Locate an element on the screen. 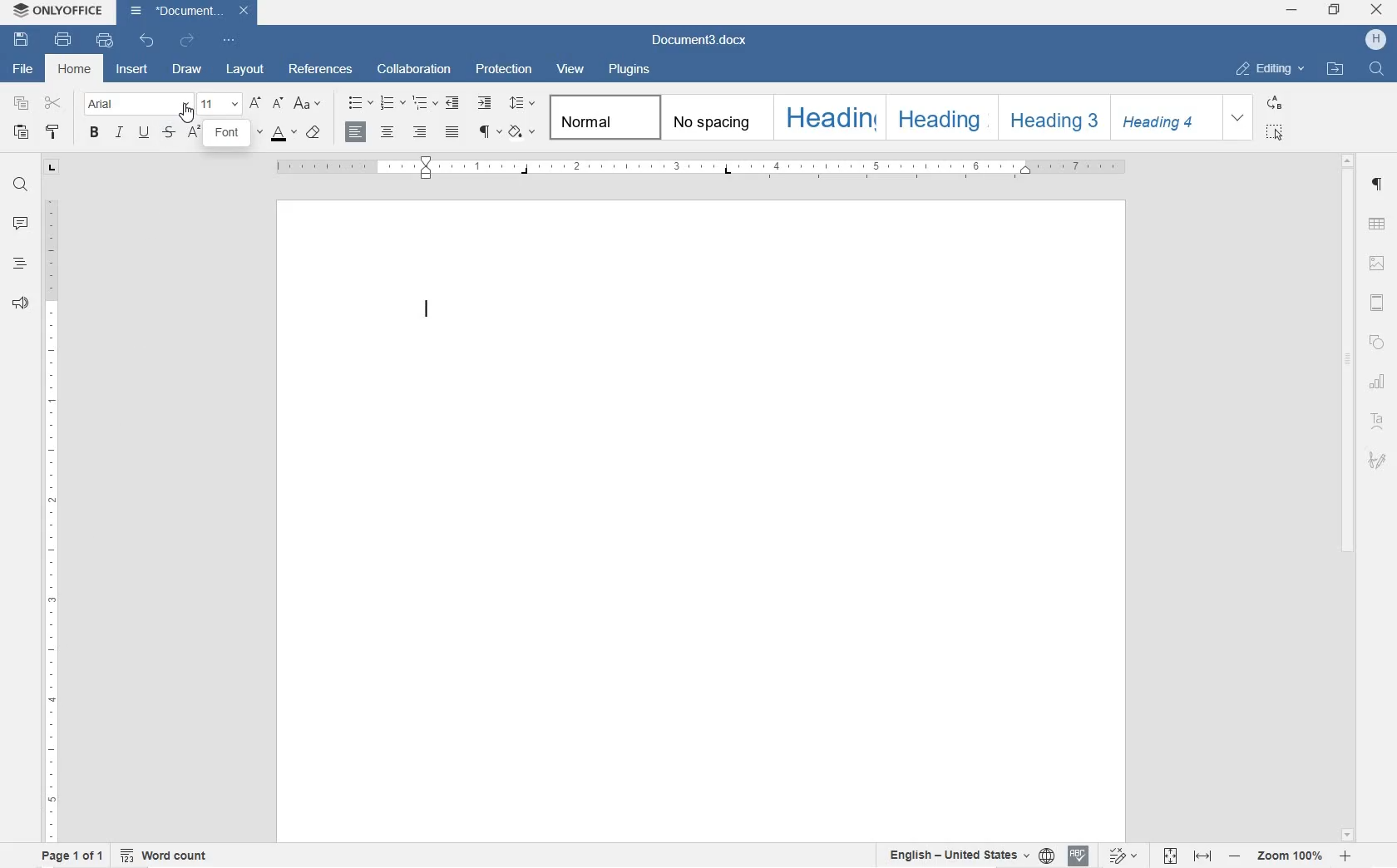 Image resolution: width=1397 pixels, height=868 pixels. SET TEXT OR DOCUMENT LANGUAGE is located at coordinates (968, 854).